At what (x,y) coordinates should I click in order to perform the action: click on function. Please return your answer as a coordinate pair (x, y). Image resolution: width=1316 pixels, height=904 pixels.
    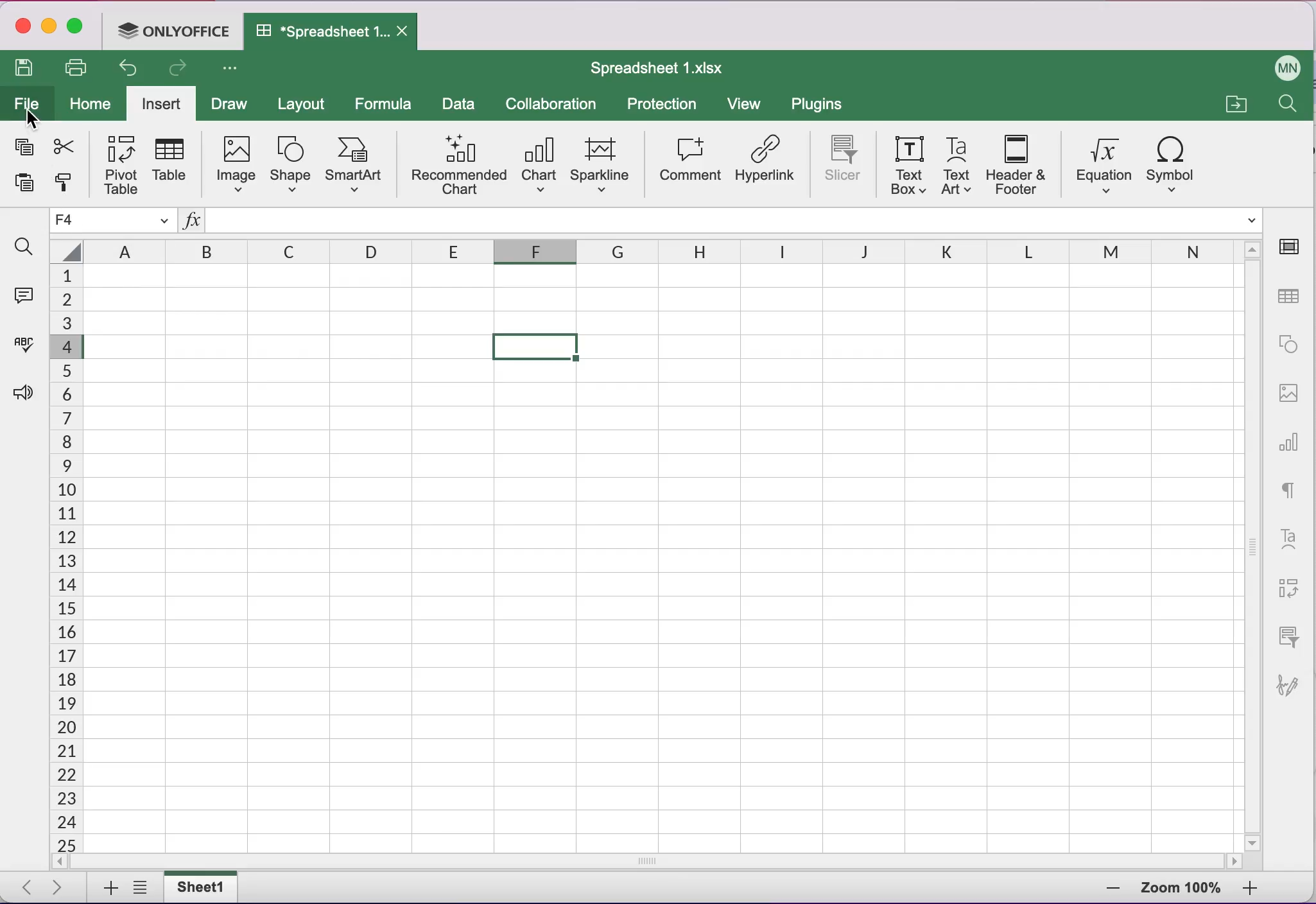
    Looking at the image, I should click on (192, 223).